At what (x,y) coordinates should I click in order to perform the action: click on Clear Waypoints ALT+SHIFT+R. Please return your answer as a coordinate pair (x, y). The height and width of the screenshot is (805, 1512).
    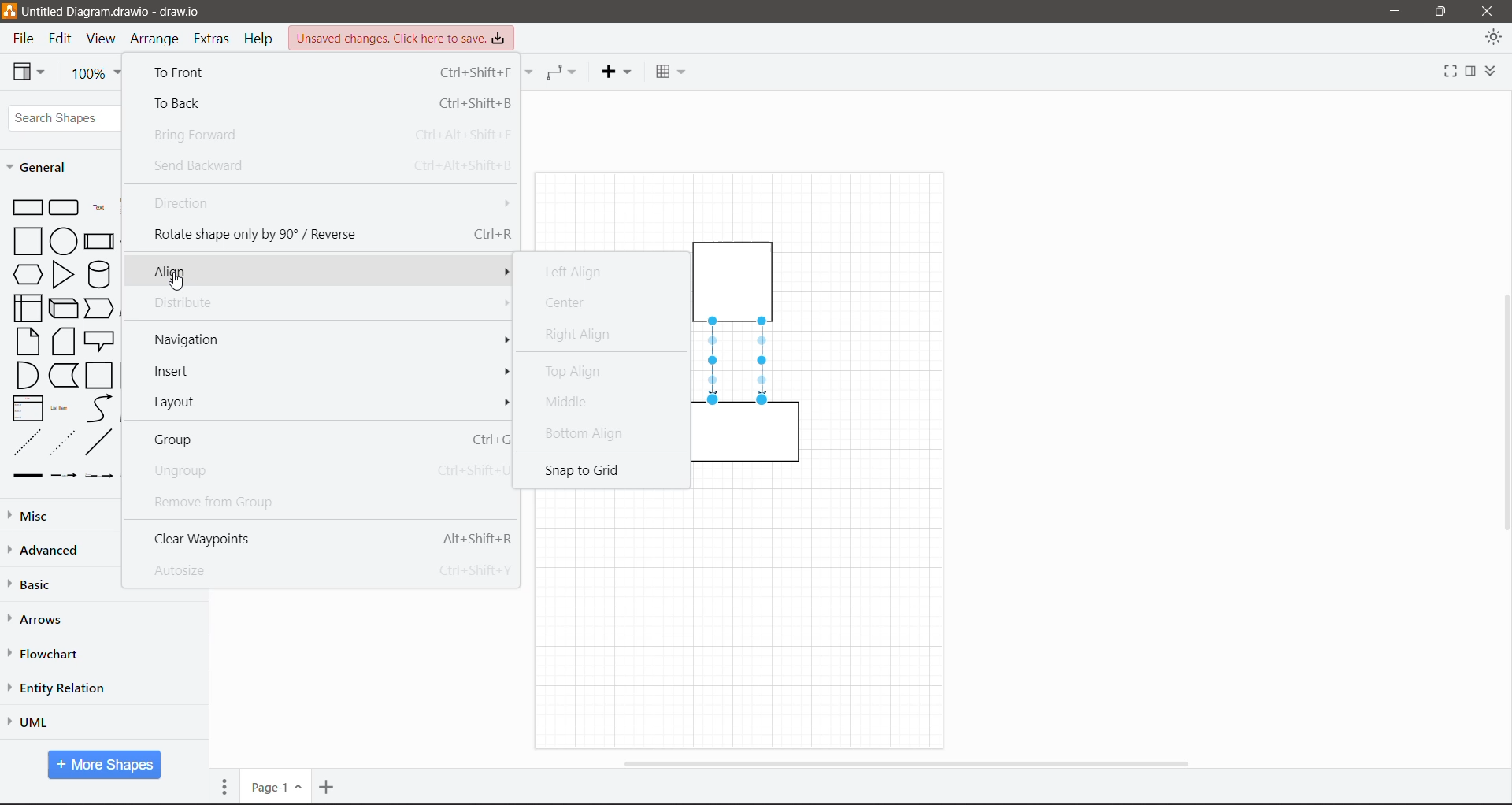
    Looking at the image, I should click on (332, 538).